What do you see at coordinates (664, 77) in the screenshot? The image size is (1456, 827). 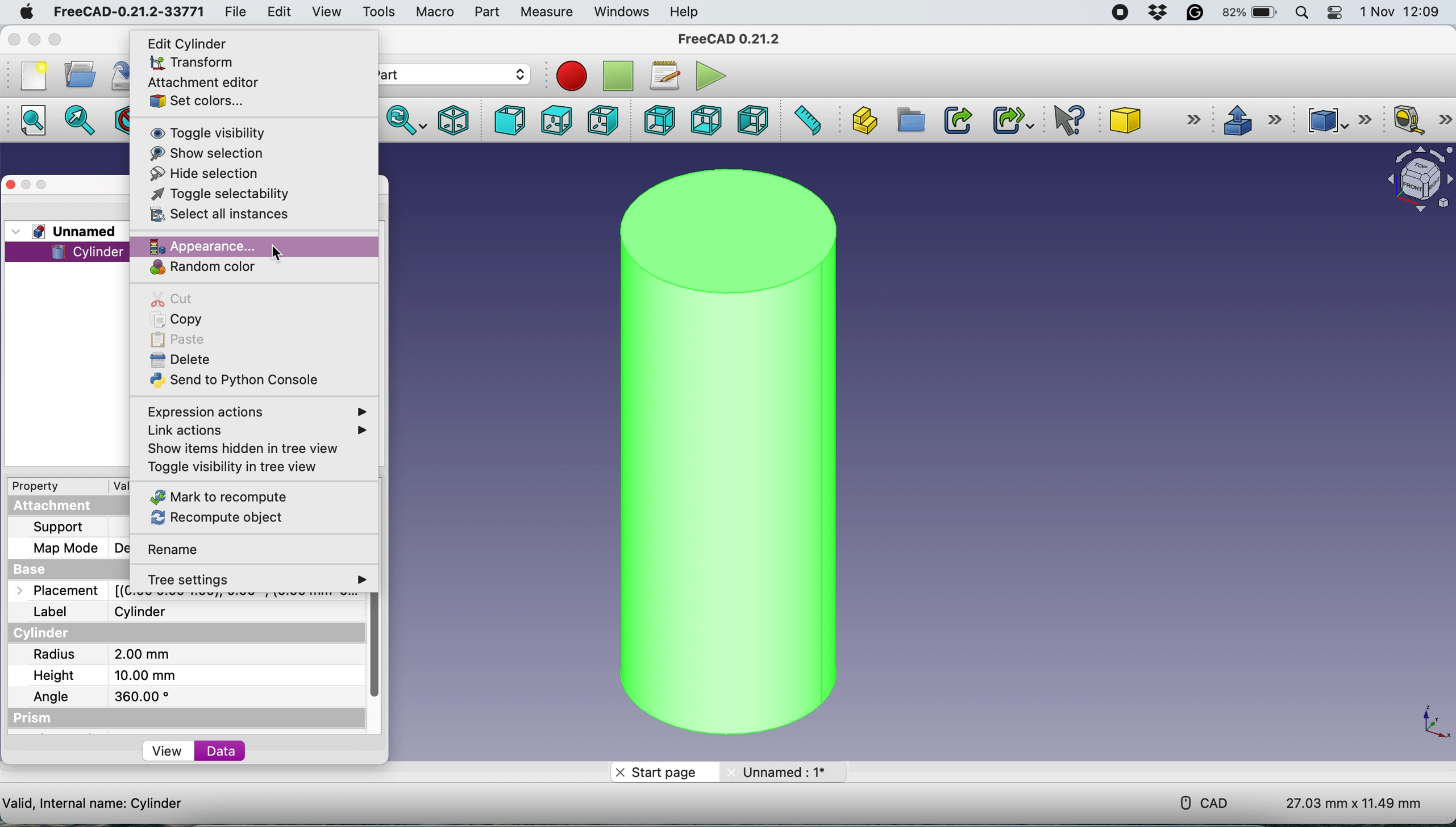 I see `macros` at bounding box center [664, 77].